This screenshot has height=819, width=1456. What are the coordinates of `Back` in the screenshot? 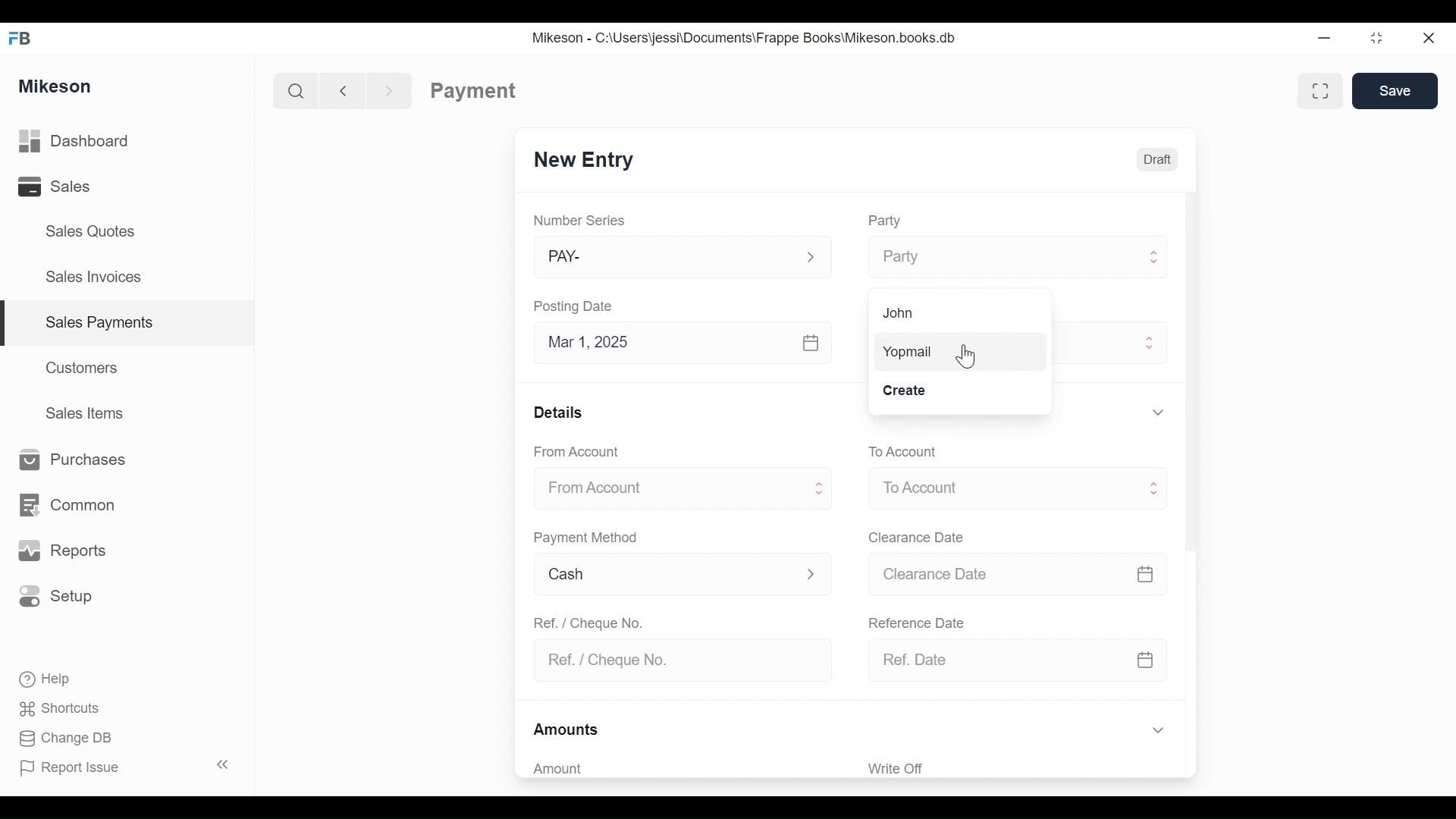 It's located at (350, 89).